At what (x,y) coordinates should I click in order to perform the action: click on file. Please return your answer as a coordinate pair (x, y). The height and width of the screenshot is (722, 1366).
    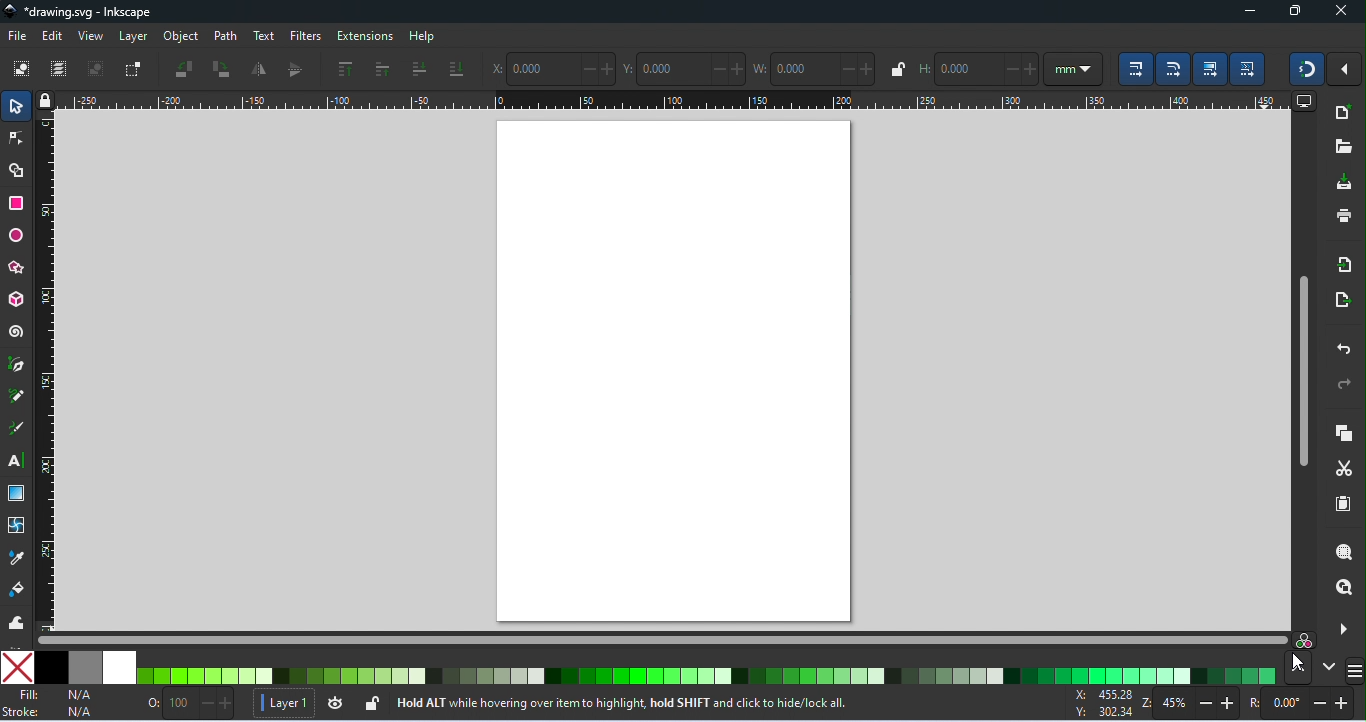
    Looking at the image, I should click on (17, 36).